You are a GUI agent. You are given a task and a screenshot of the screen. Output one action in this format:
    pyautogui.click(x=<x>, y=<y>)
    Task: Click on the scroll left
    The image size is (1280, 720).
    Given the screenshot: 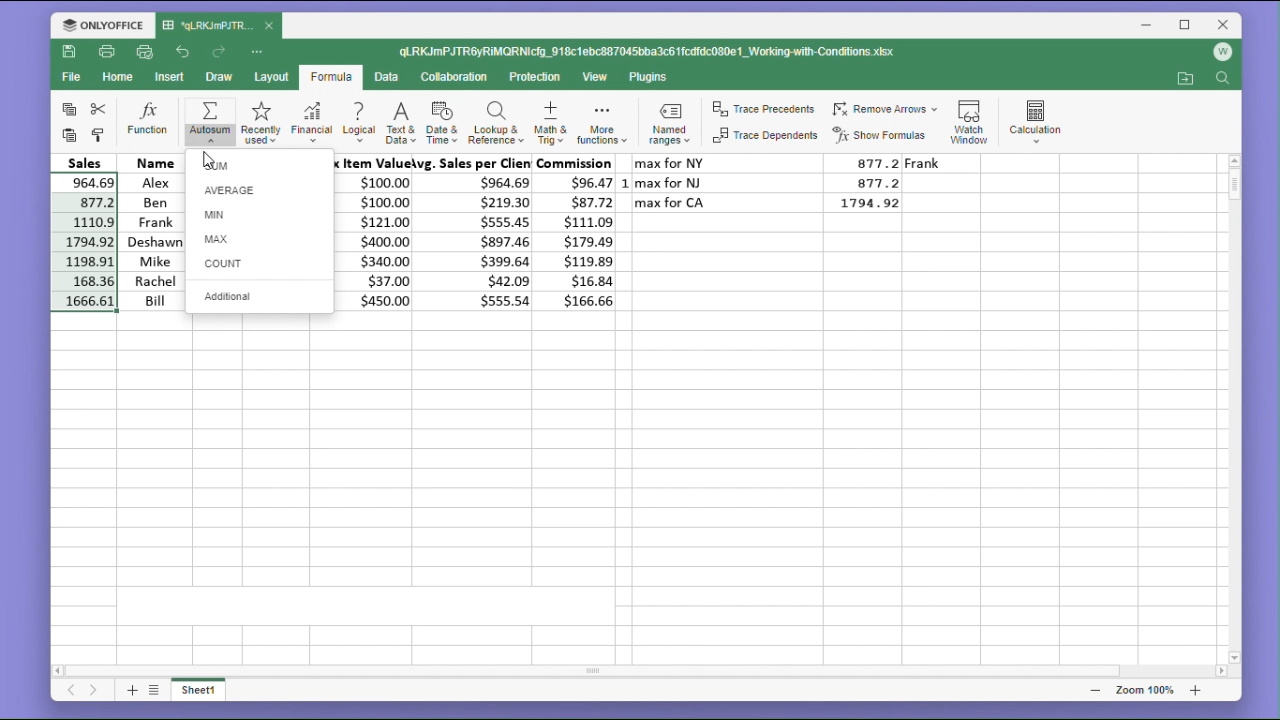 What is the action you would take?
    pyautogui.click(x=59, y=668)
    